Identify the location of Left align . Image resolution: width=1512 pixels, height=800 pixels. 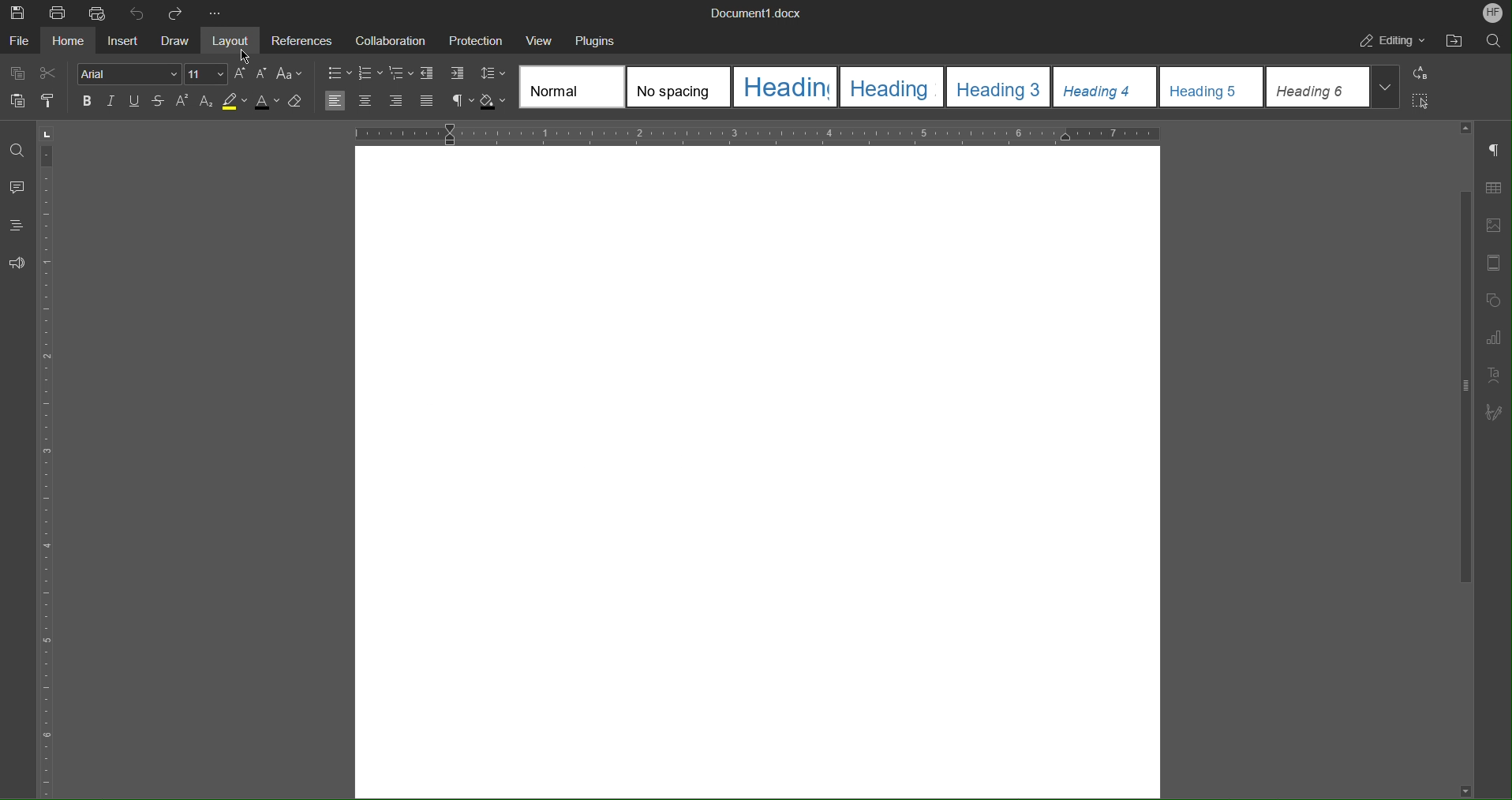
(335, 100).